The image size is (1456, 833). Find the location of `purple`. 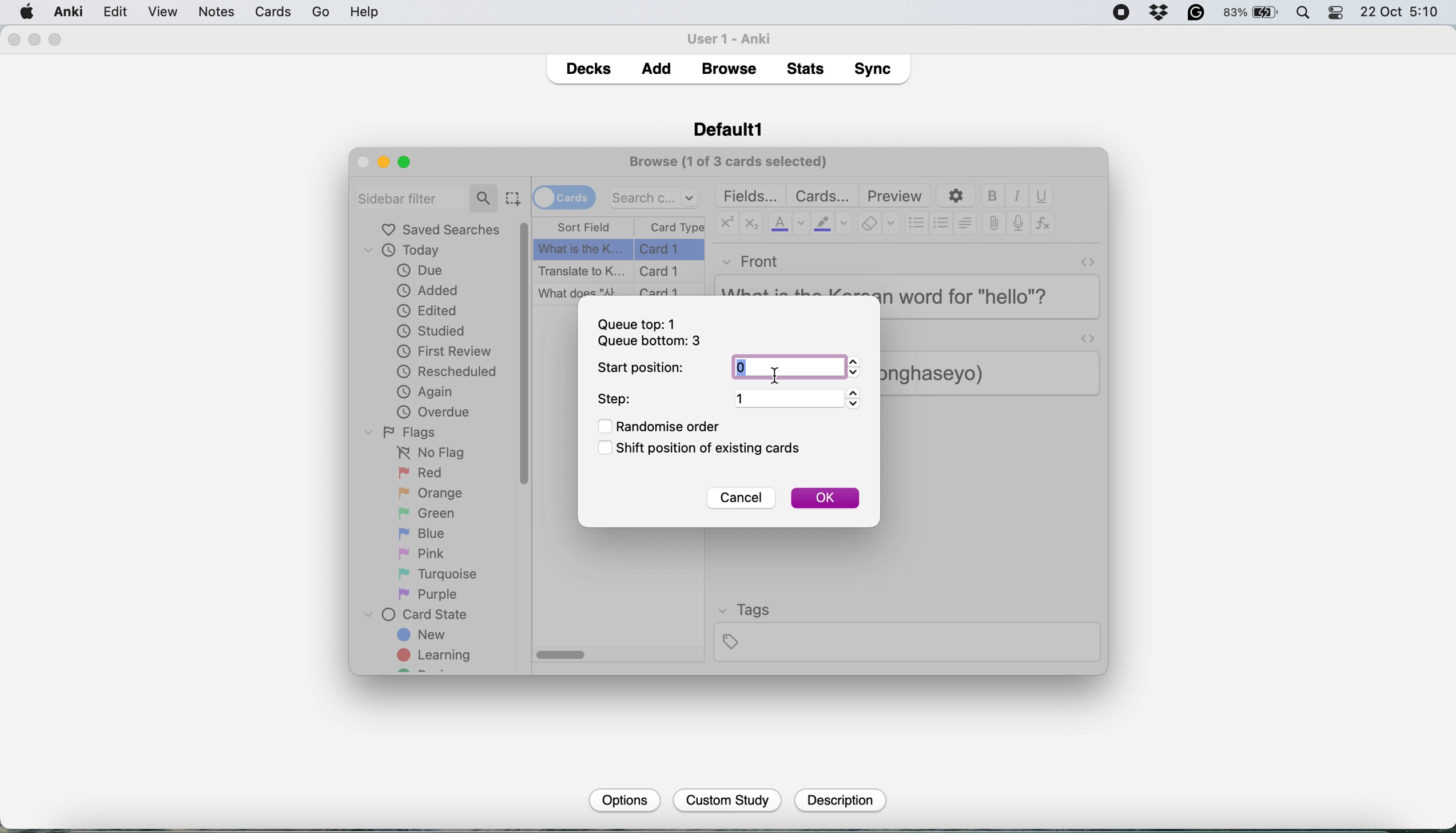

purple is located at coordinates (430, 594).